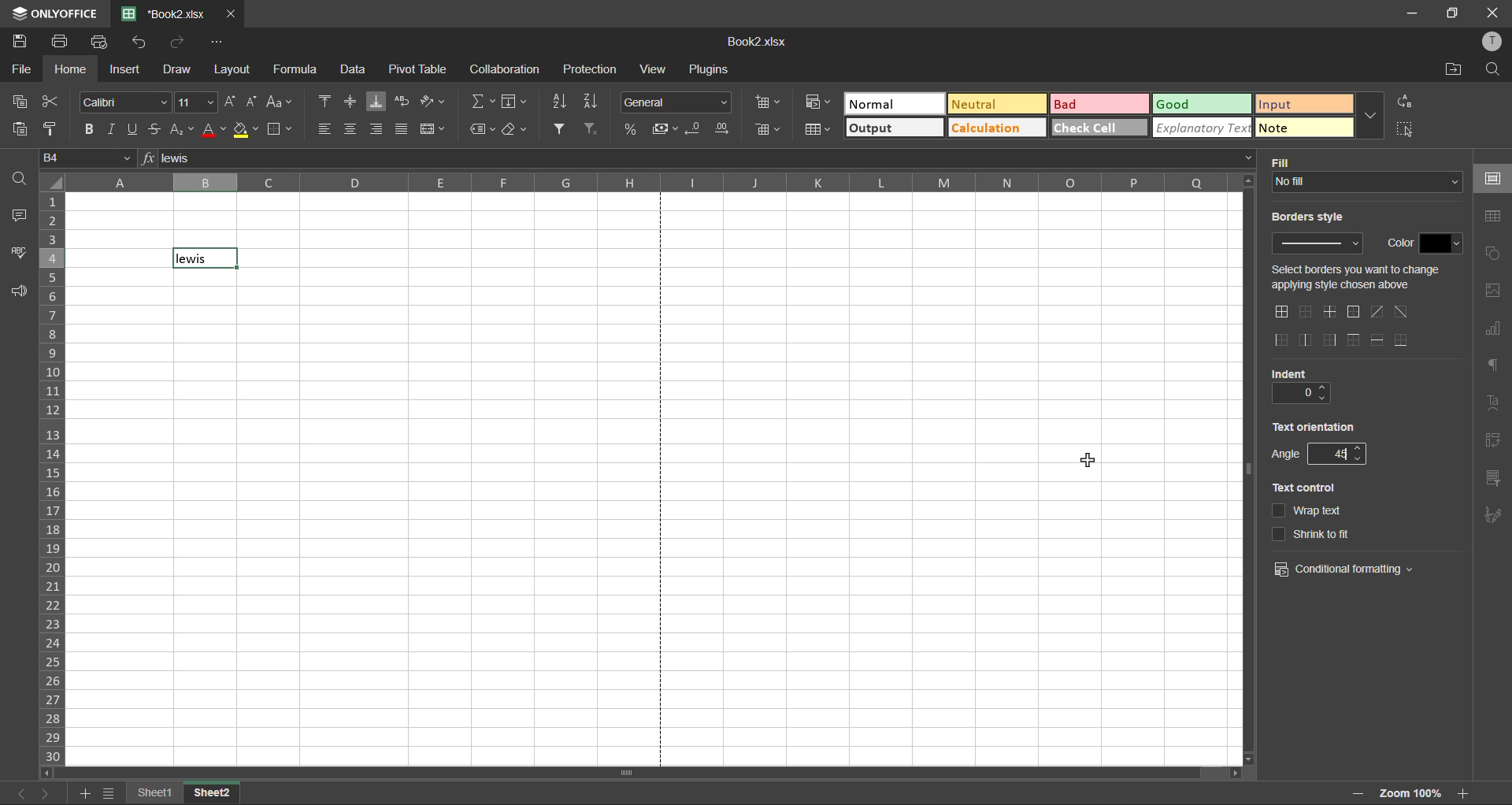  What do you see at coordinates (204, 257) in the screenshot?
I see `current cell` at bounding box center [204, 257].